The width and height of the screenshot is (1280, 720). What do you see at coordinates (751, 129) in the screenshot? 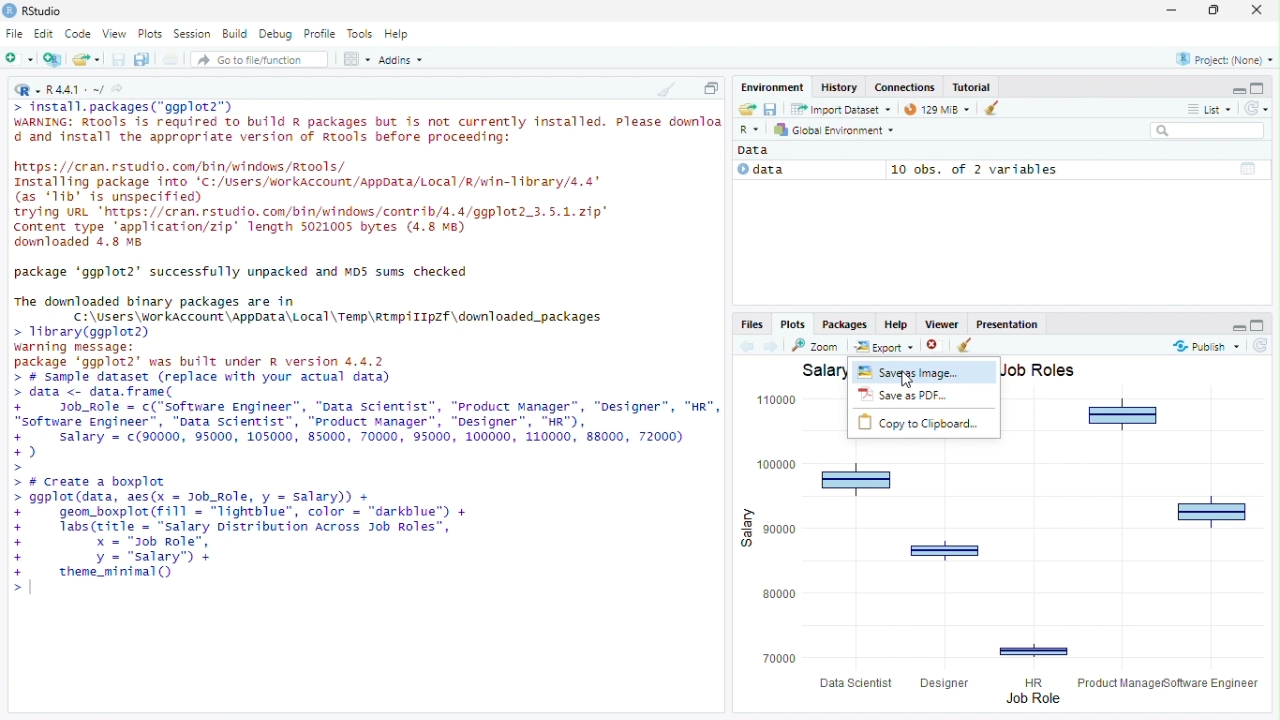
I see `R language` at bounding box center [751, 129].